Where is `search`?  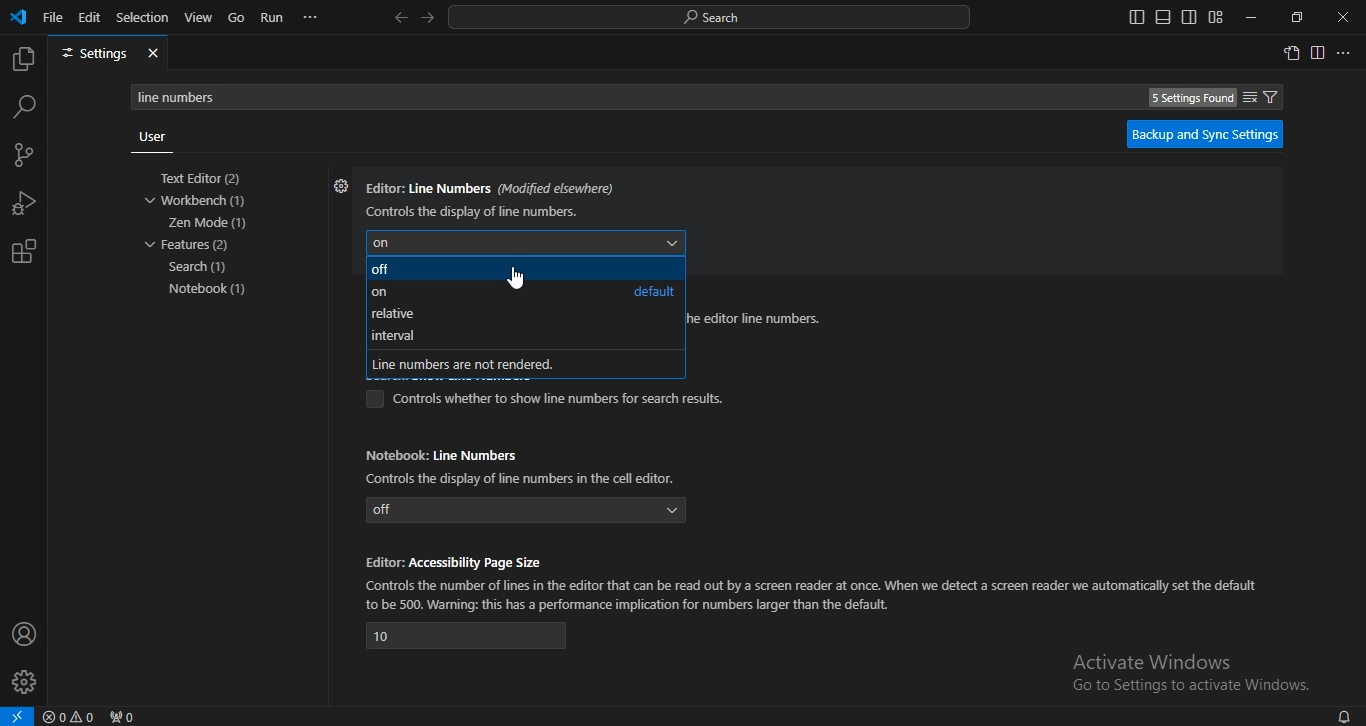
search is located at coordinates (25, 106).